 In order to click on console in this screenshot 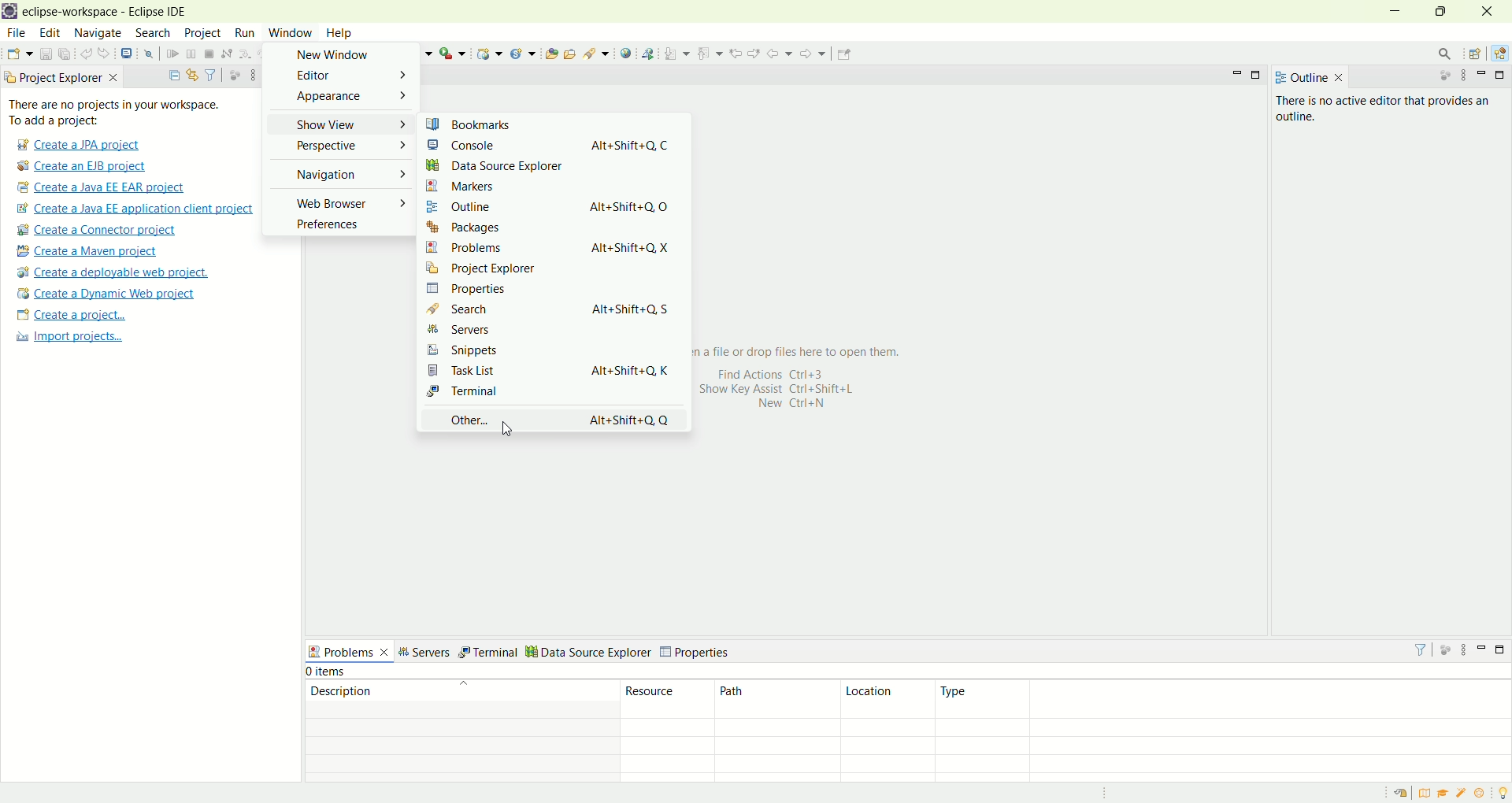, I will do `click(495, 146)`.